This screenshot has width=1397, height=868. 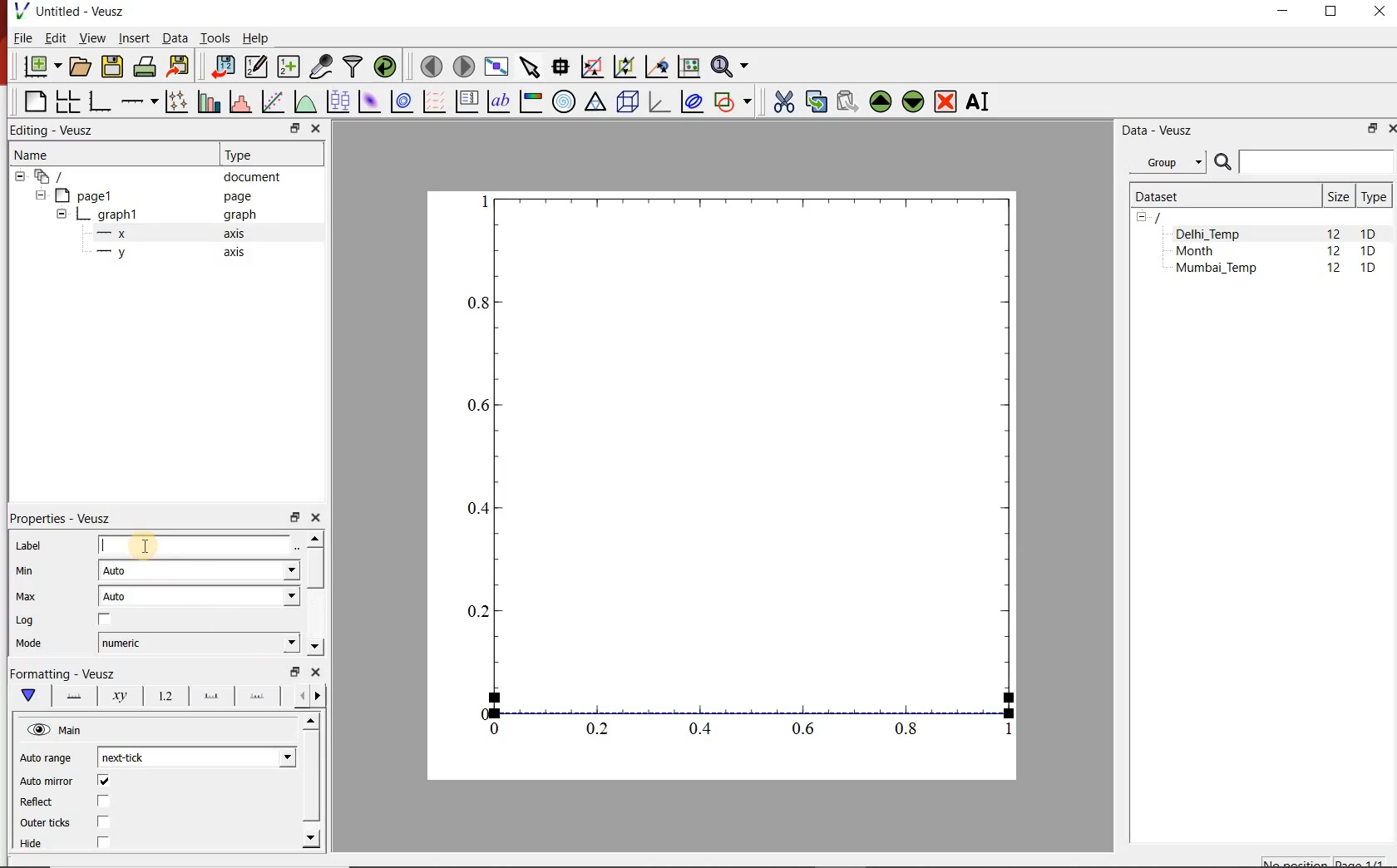 I want to click on read data points on the graph, so click(x=560, y=67).